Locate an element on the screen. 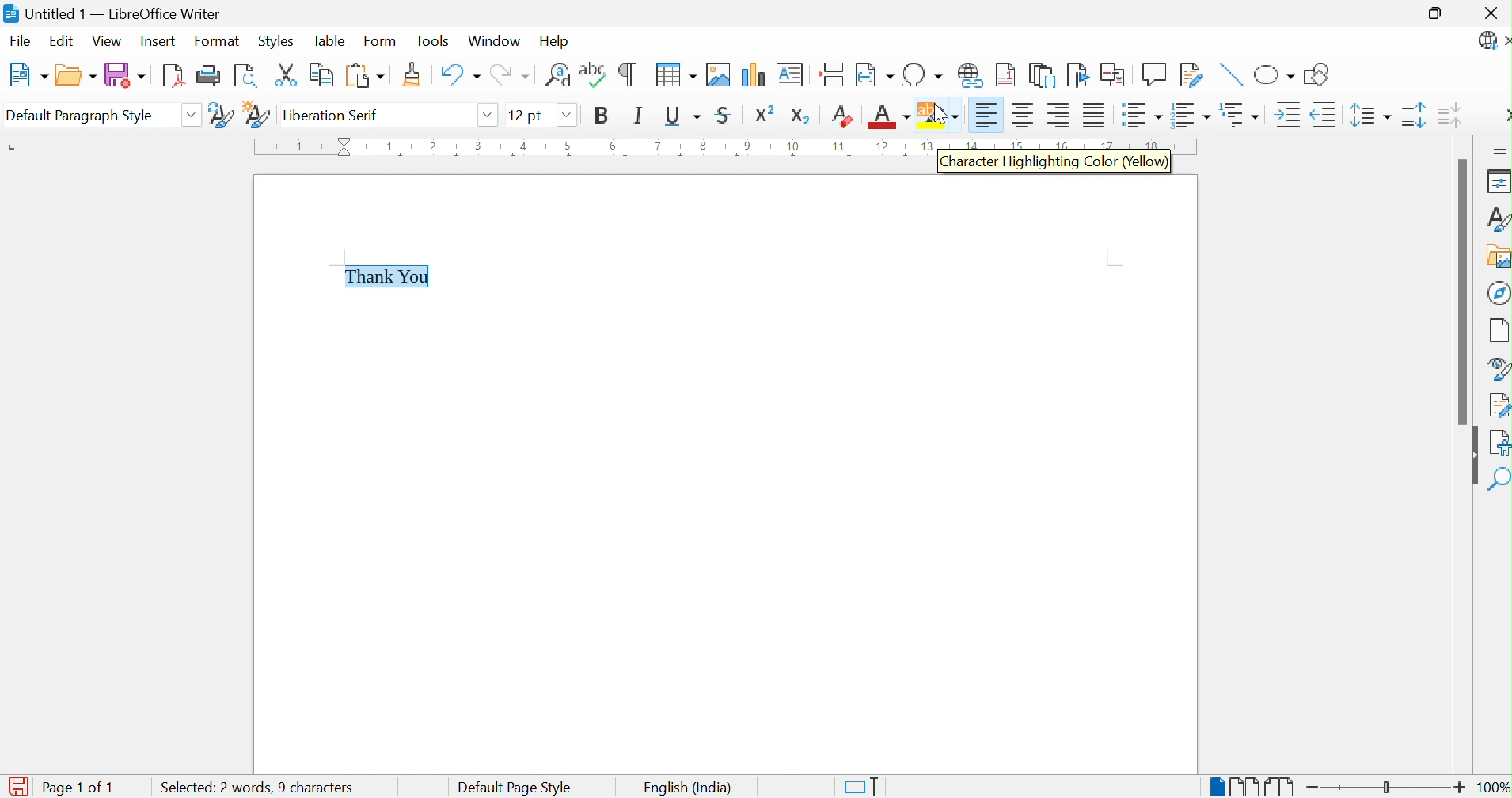  Manage Changes is located at coordinates (1497, 405).